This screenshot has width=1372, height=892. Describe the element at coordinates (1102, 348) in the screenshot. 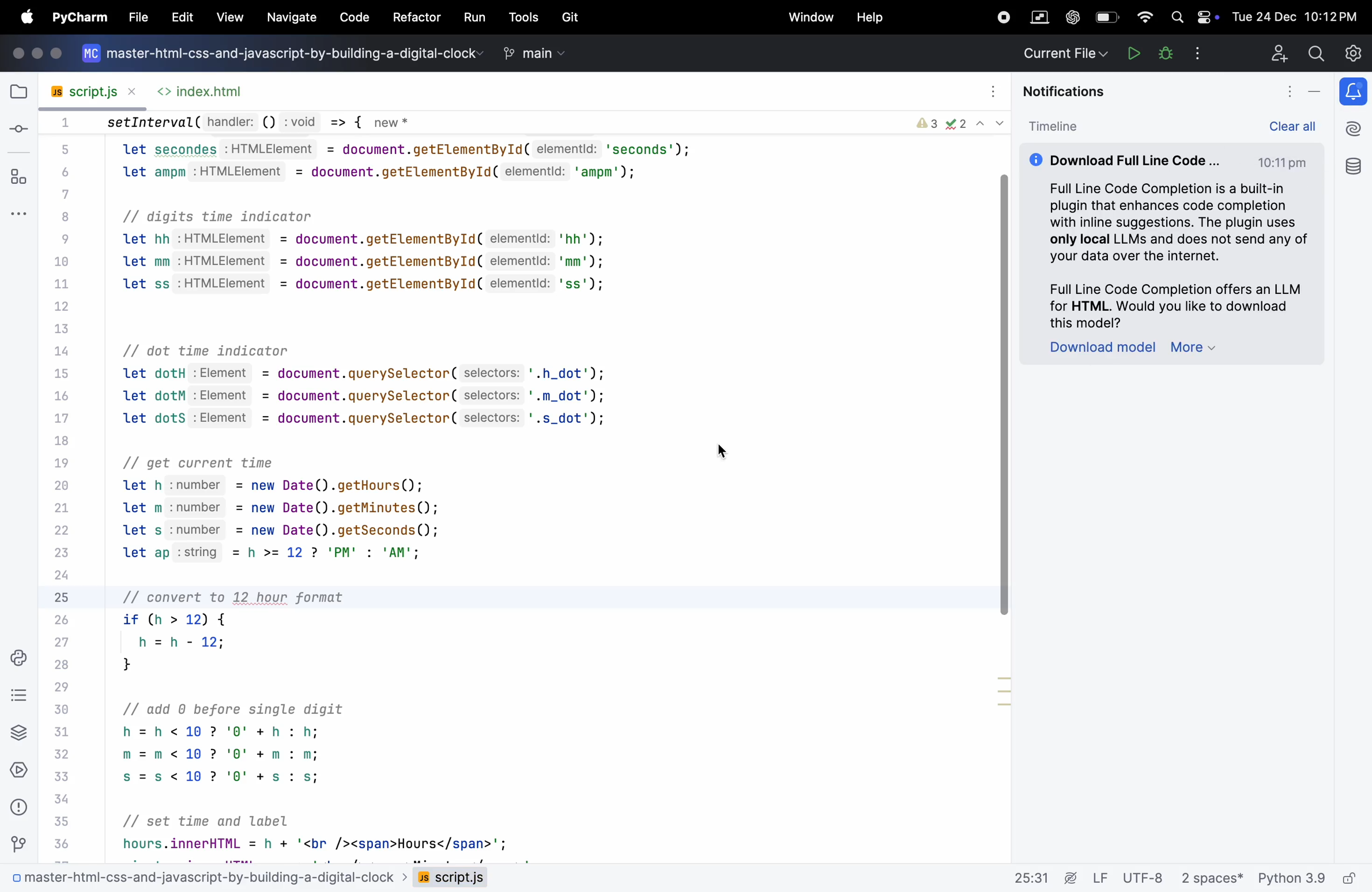

I see `Download model` at that location.